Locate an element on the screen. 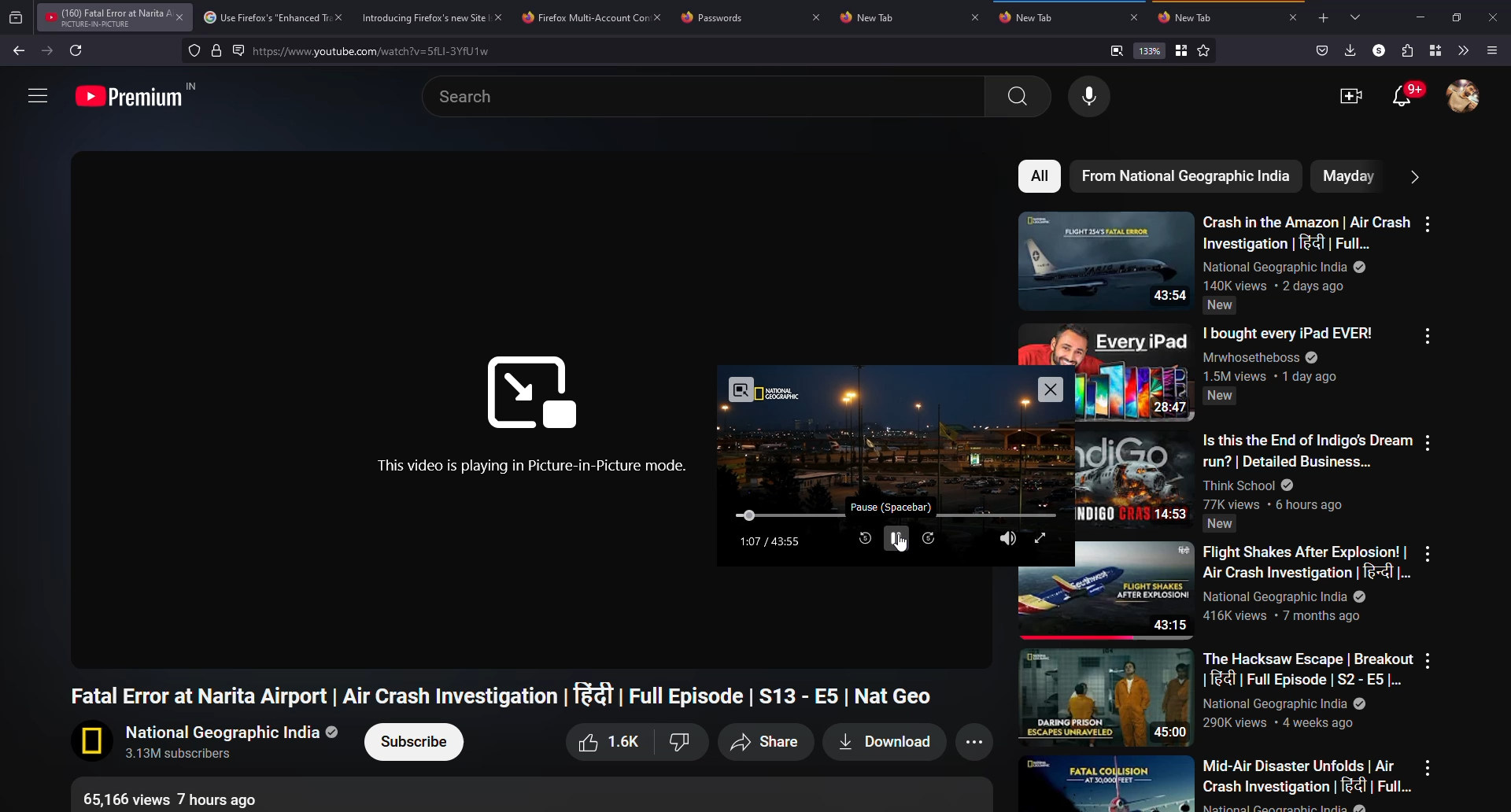 The height and width of the screenshot is (812, 1511). Video thumbnail is located at coordinates (1106, 783).